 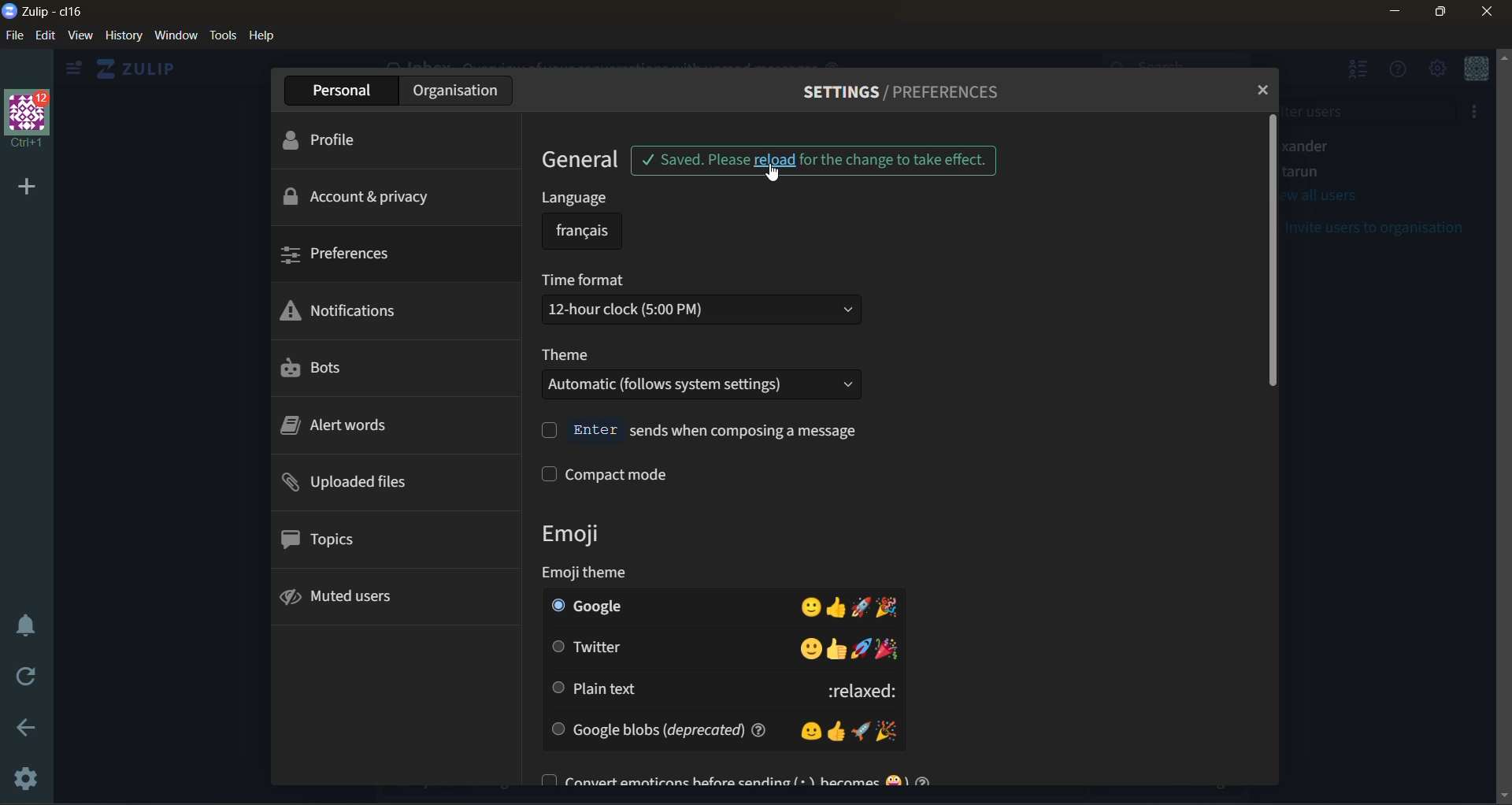 What do you see at coordinates (178, 38) in the screenshot?
I see `window` at bounding box center [178, 38].